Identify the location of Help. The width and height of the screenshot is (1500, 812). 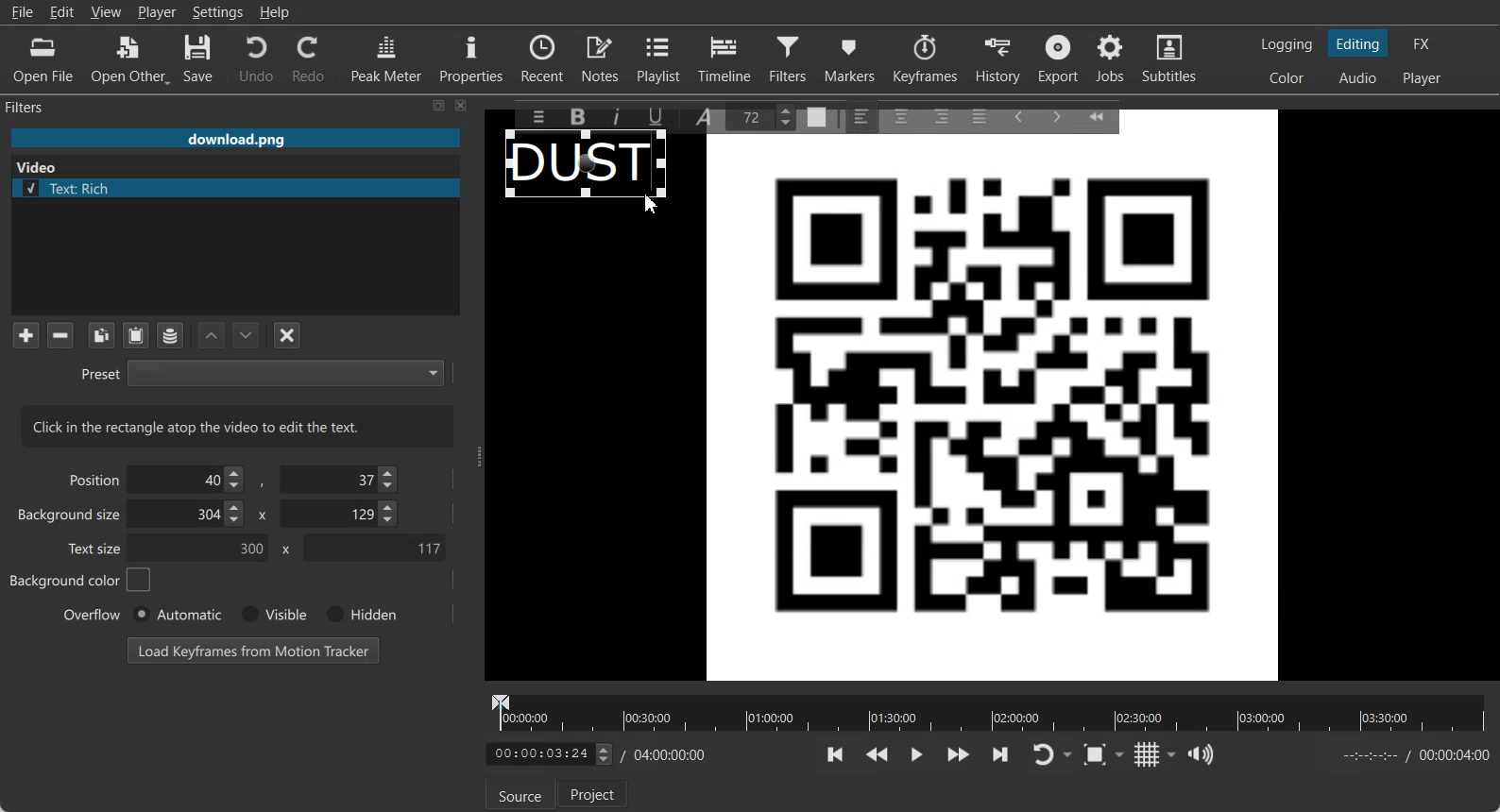
(275, 12).